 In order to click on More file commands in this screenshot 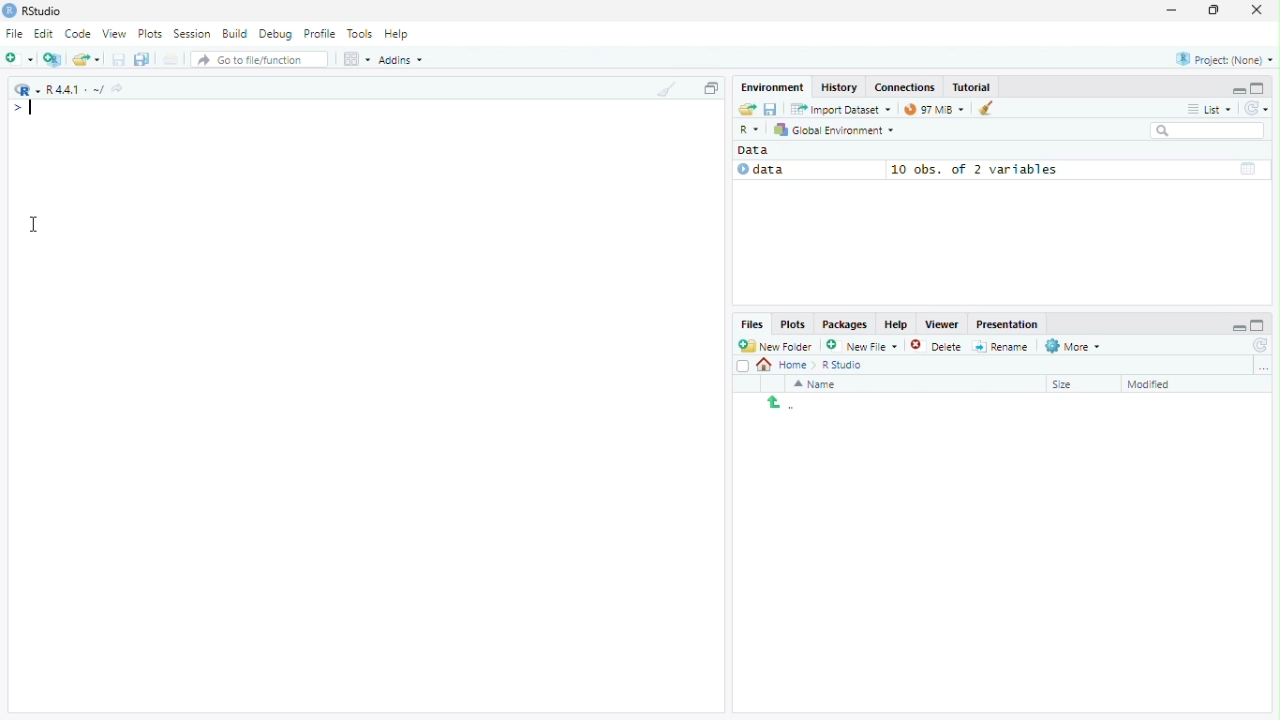, I will do `click(1073, 346)`.